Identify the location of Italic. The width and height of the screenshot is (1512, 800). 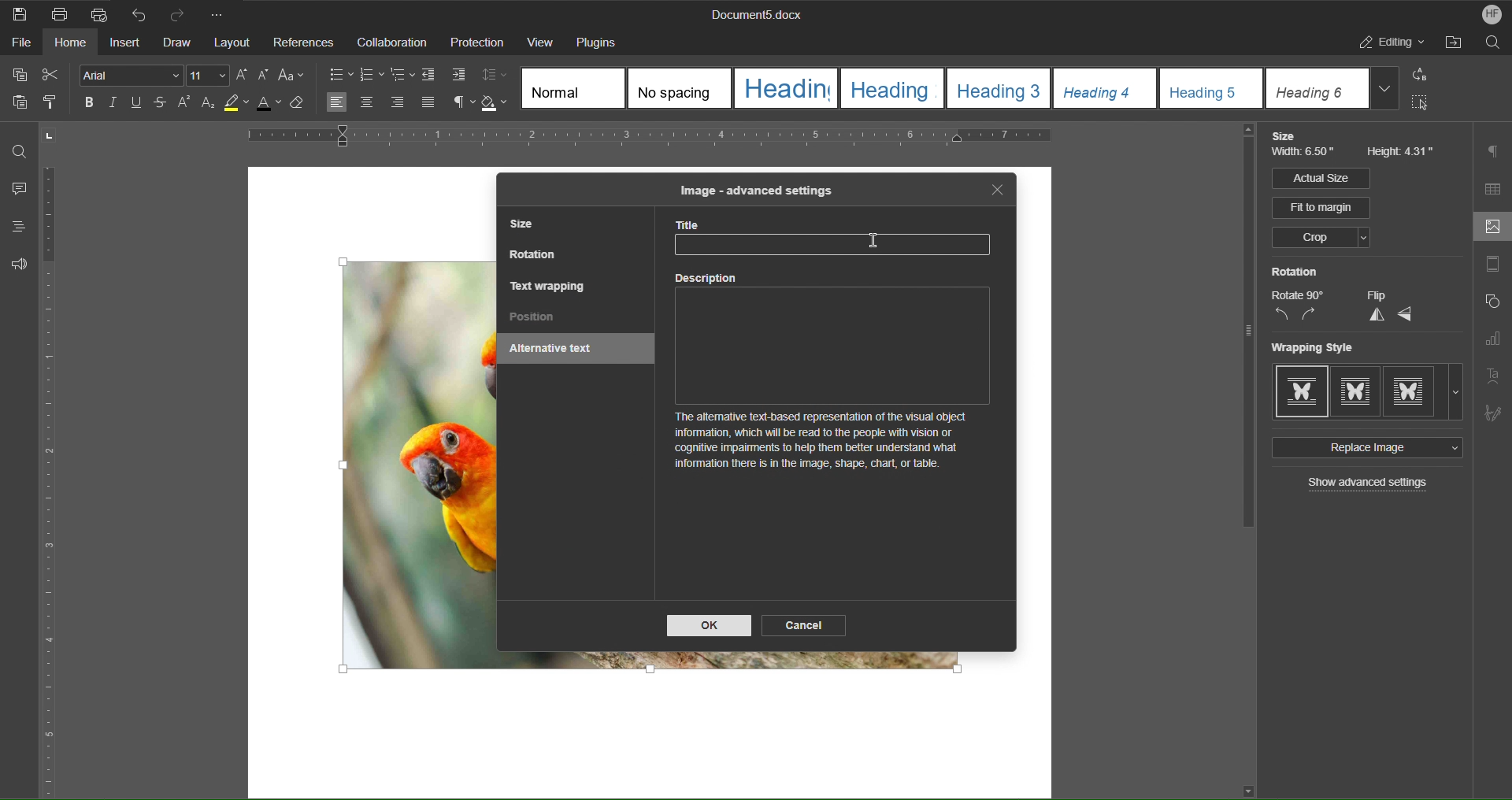
(113, 103).